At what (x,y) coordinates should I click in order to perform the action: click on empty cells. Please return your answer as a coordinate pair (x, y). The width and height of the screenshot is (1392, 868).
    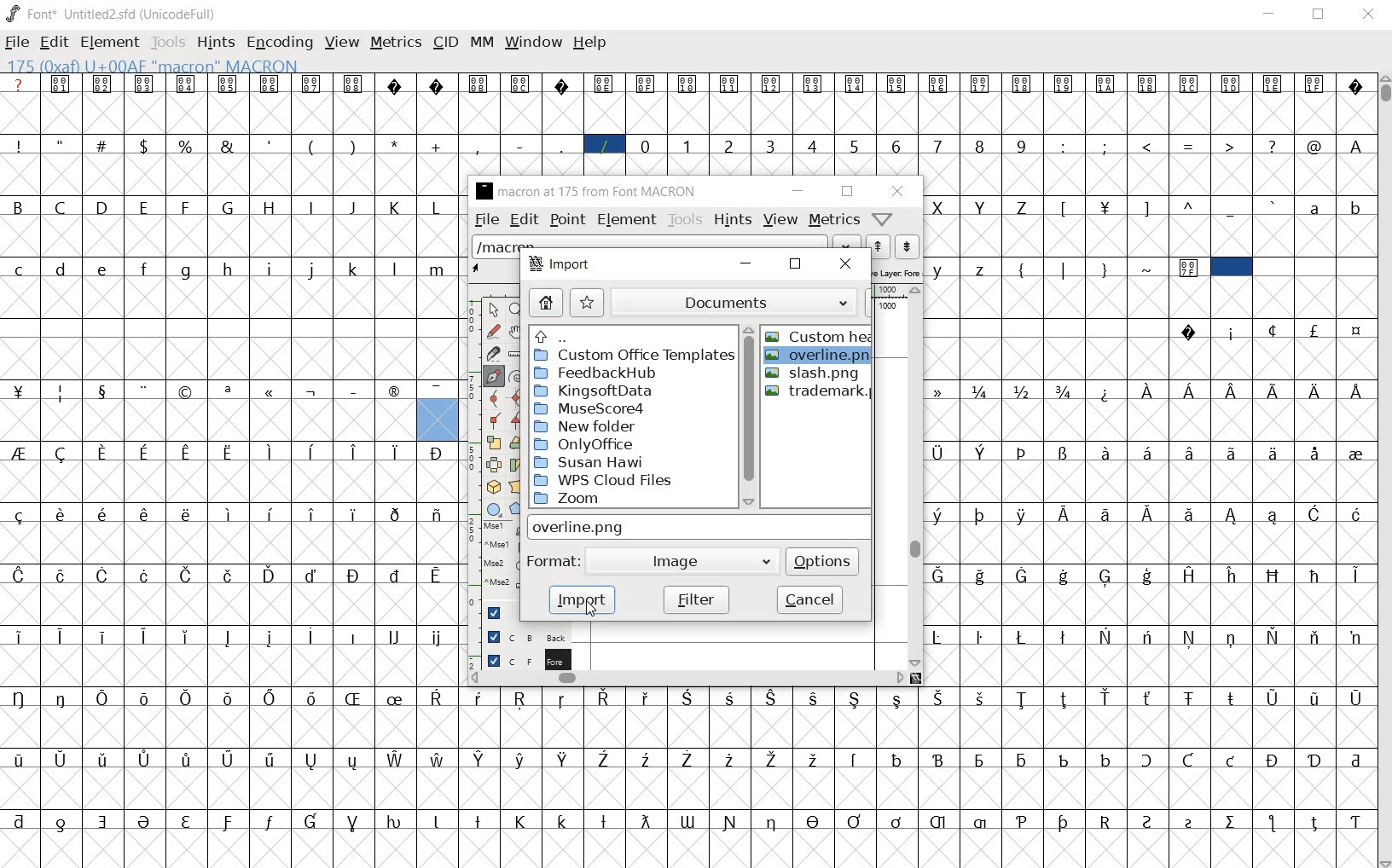
    Looking at the image, I should click on (1047, 328).